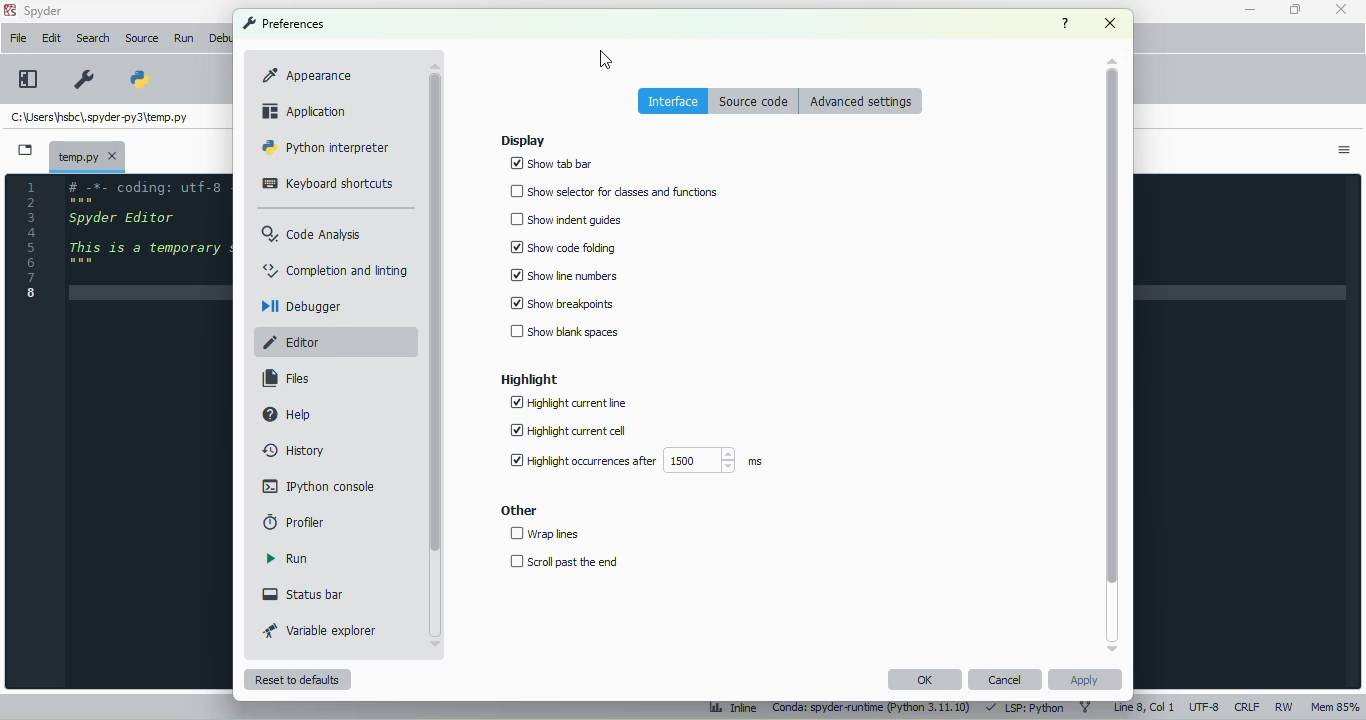  Describe the element at coordinates (302, 307) in the screenshot. I see `debugger` at that location.